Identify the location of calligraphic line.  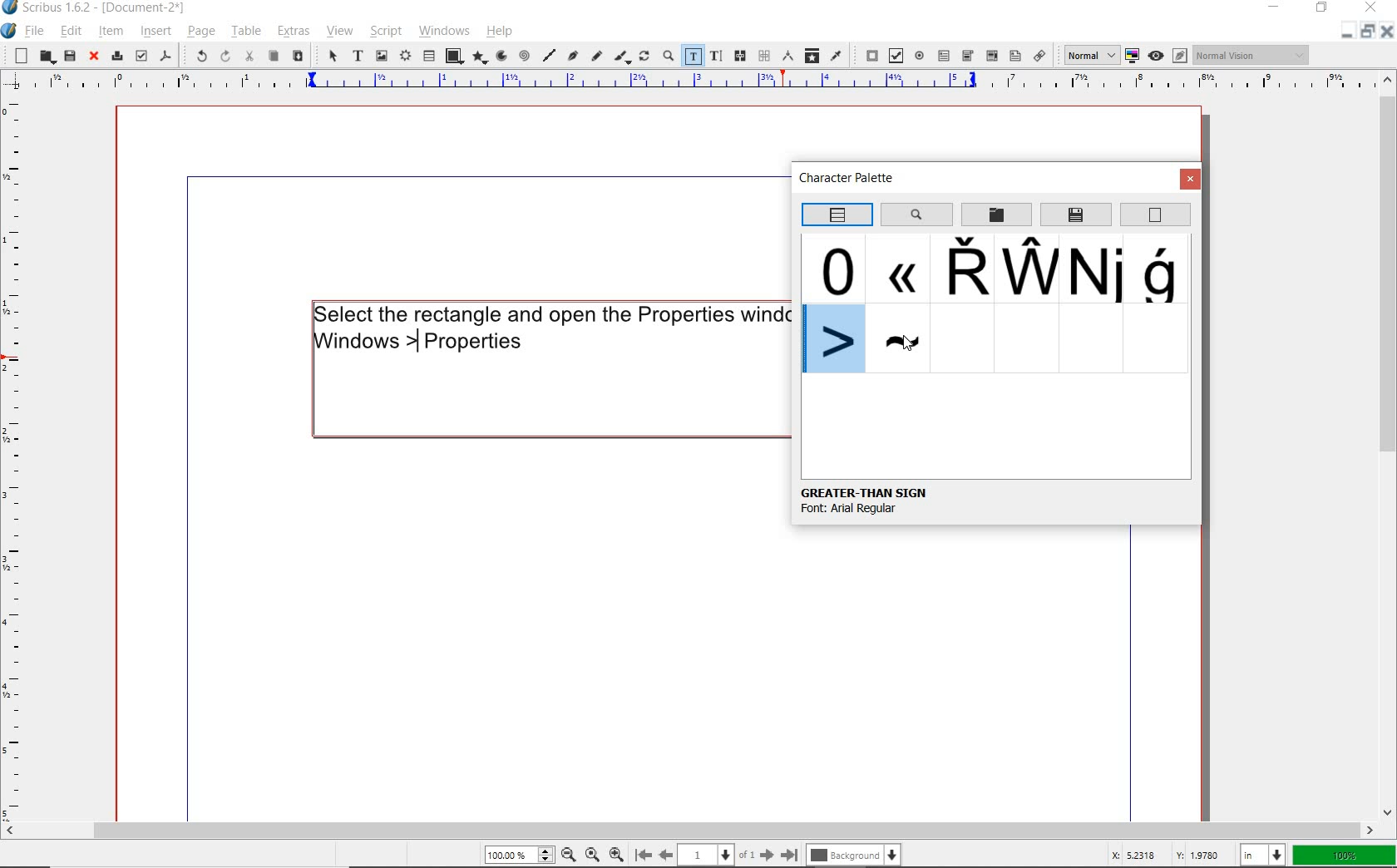
(622, 57).